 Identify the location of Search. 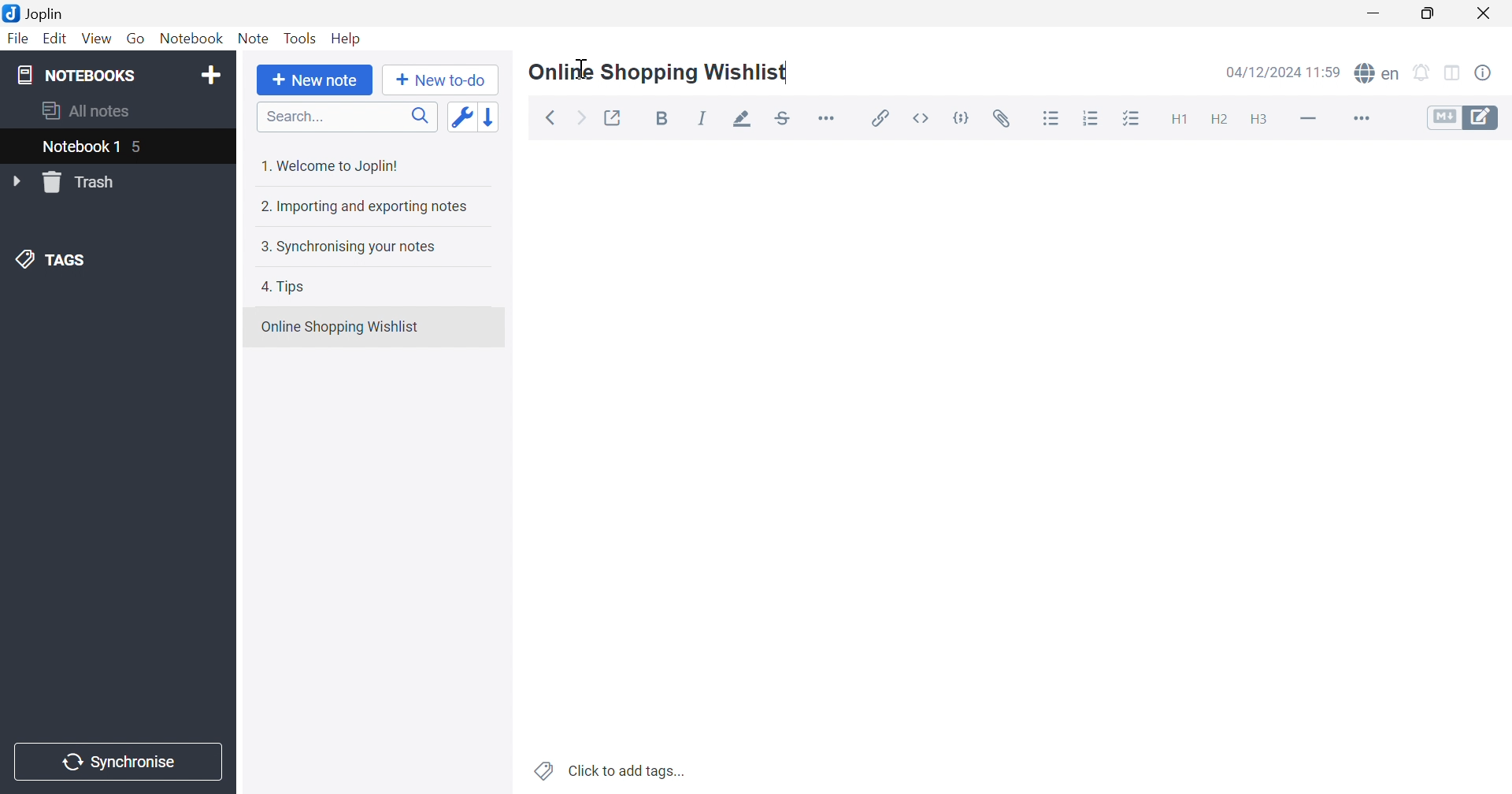
(348, 118).